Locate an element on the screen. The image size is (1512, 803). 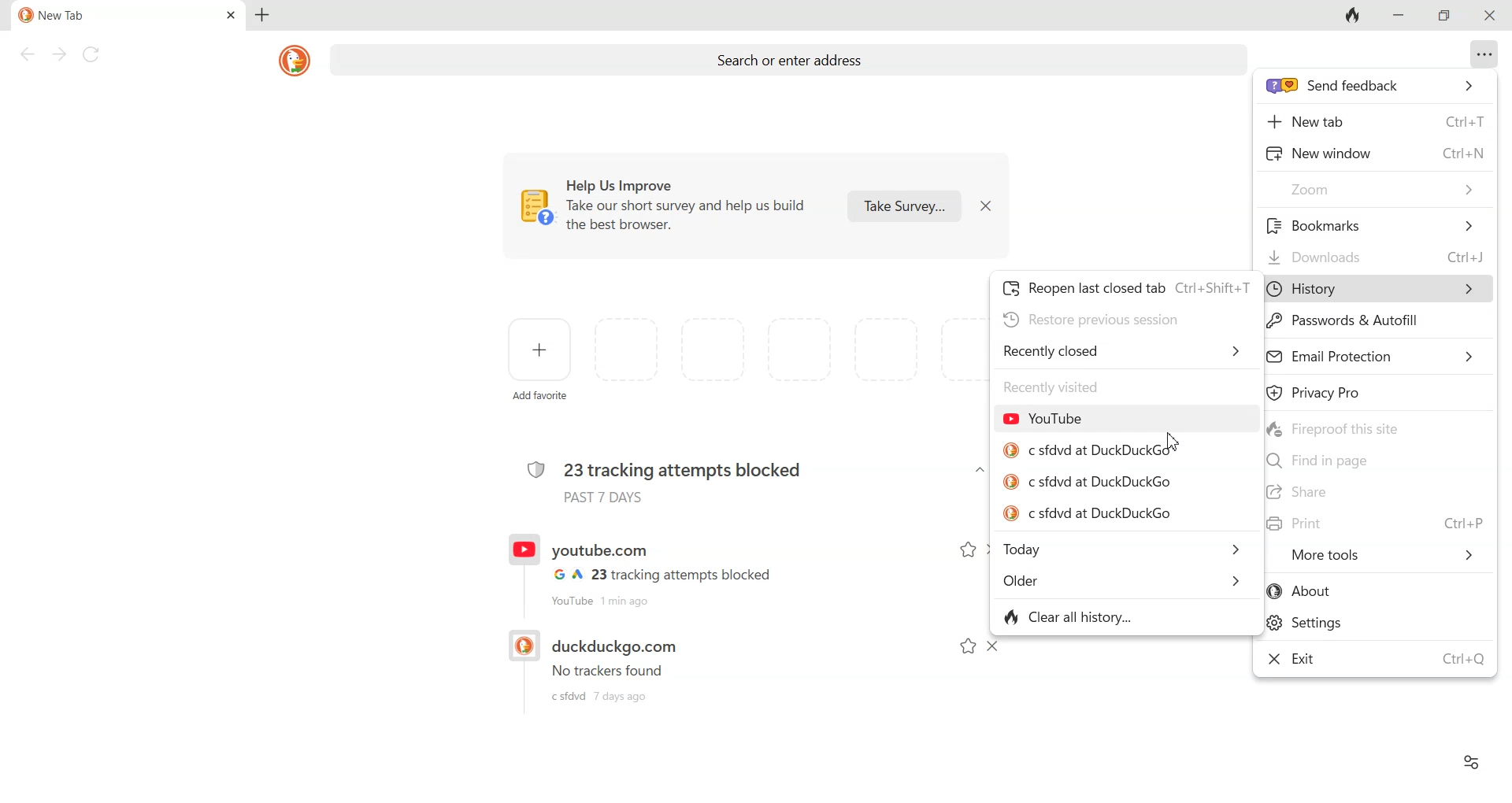
space for adding favorites is located at coordinates (788, 351).